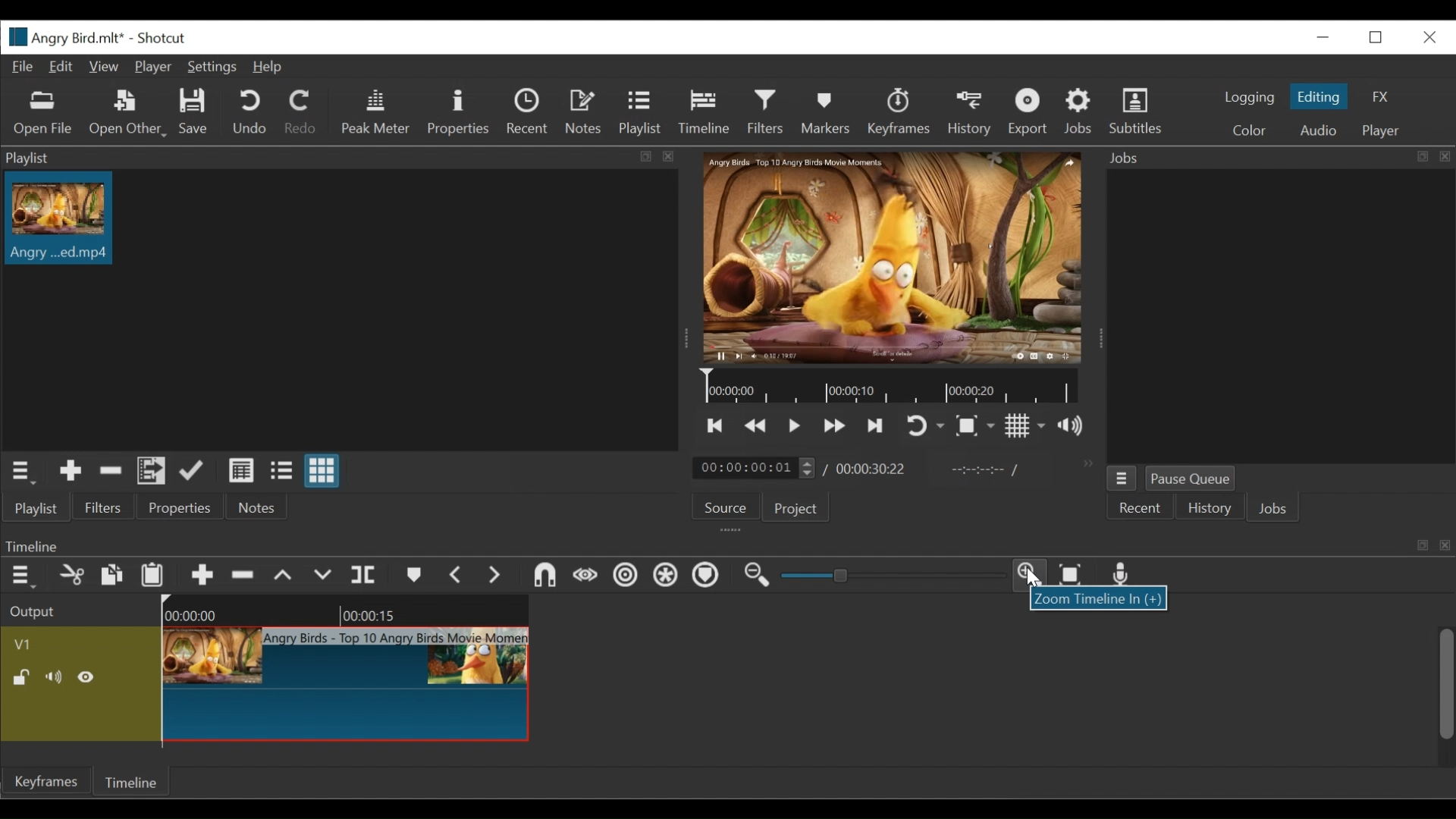 The width and height of the screenshot is (1456, 819). What do you see at coordinates (102, 507) in the screenshot?
I see `Filters` at bounding box center [102, 507].